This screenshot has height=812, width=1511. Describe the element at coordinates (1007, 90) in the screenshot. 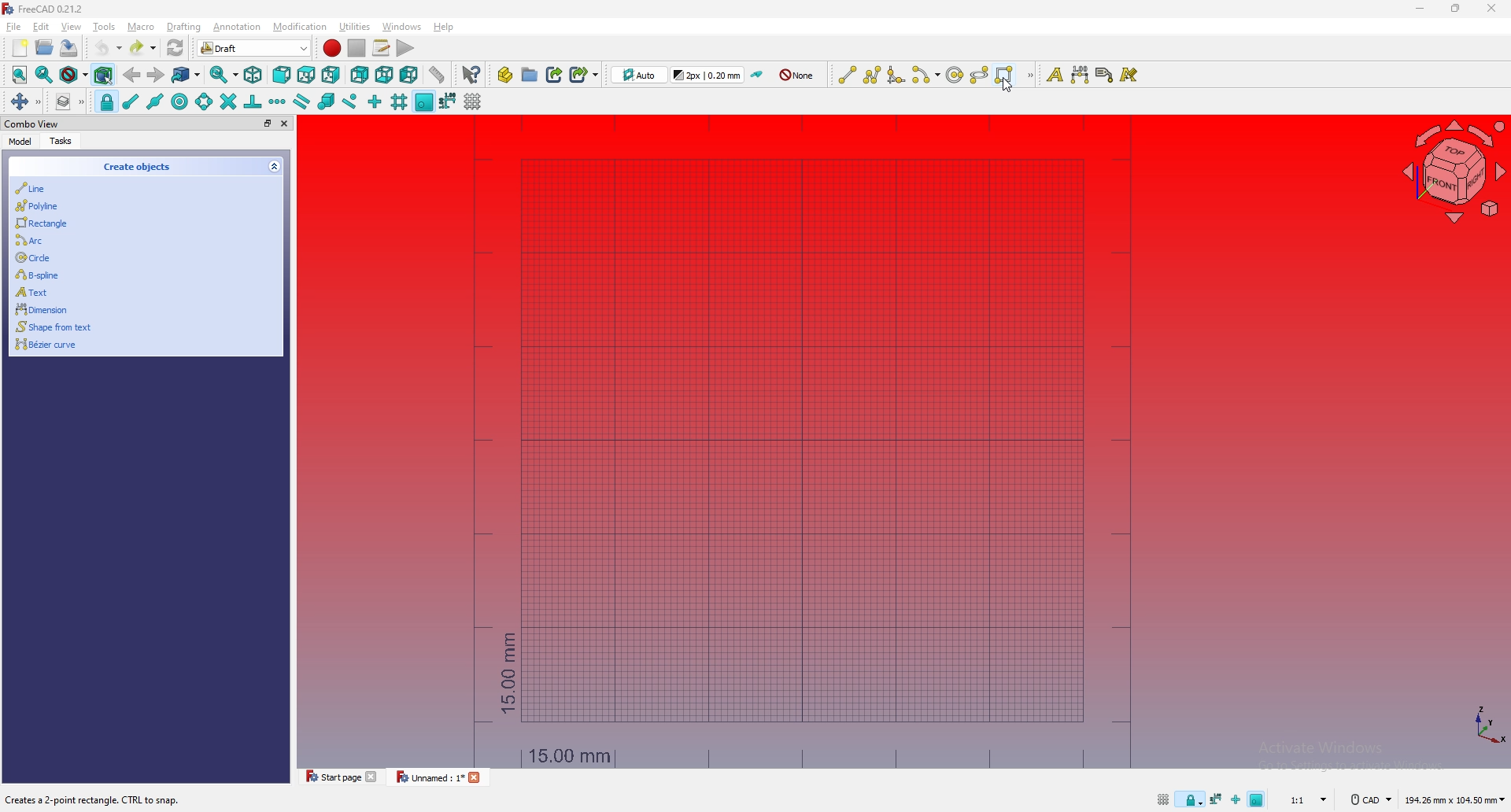

I see `Cursor` at that location.